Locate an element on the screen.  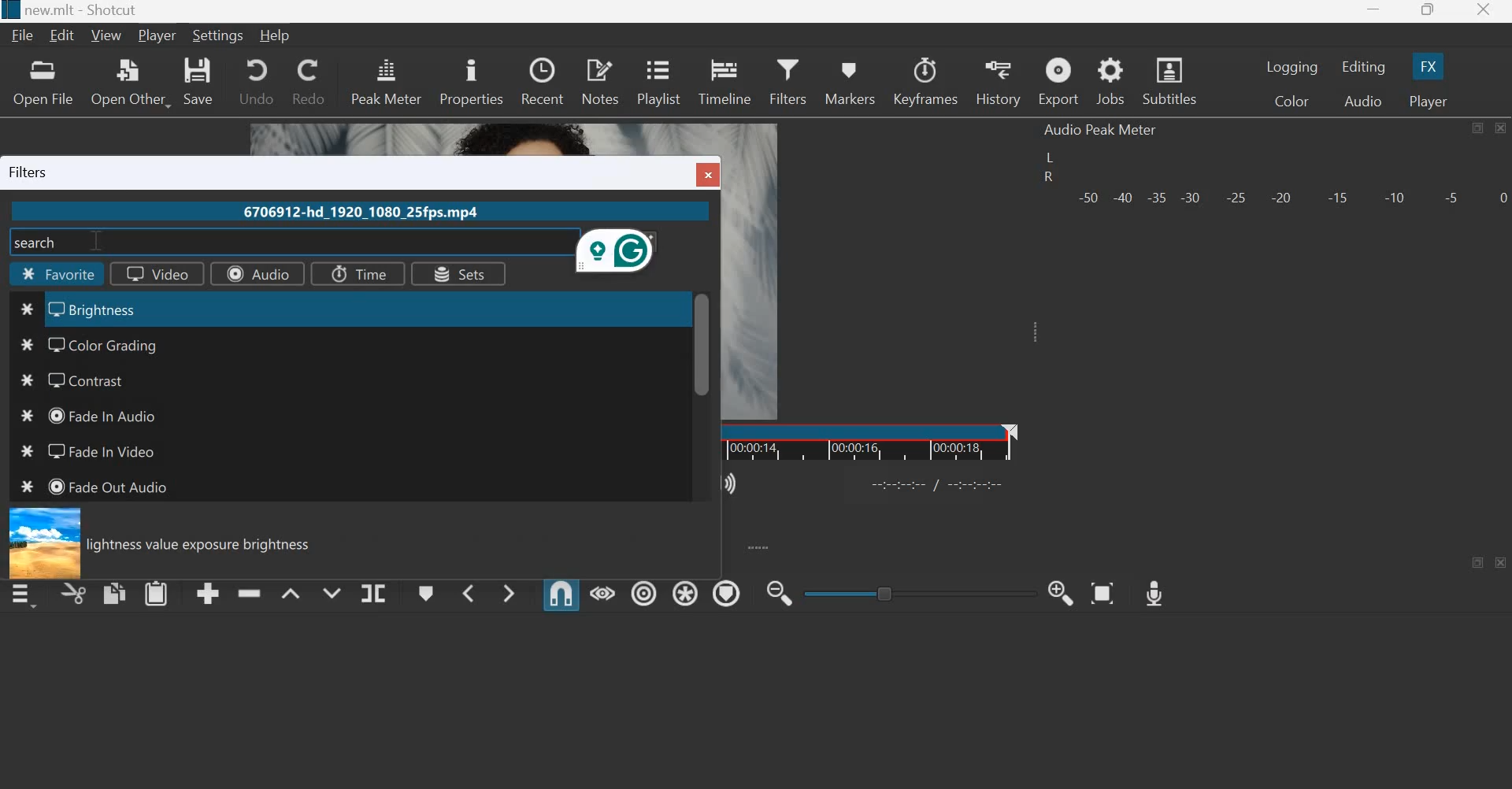
properties is located at coordinates (471, 80).